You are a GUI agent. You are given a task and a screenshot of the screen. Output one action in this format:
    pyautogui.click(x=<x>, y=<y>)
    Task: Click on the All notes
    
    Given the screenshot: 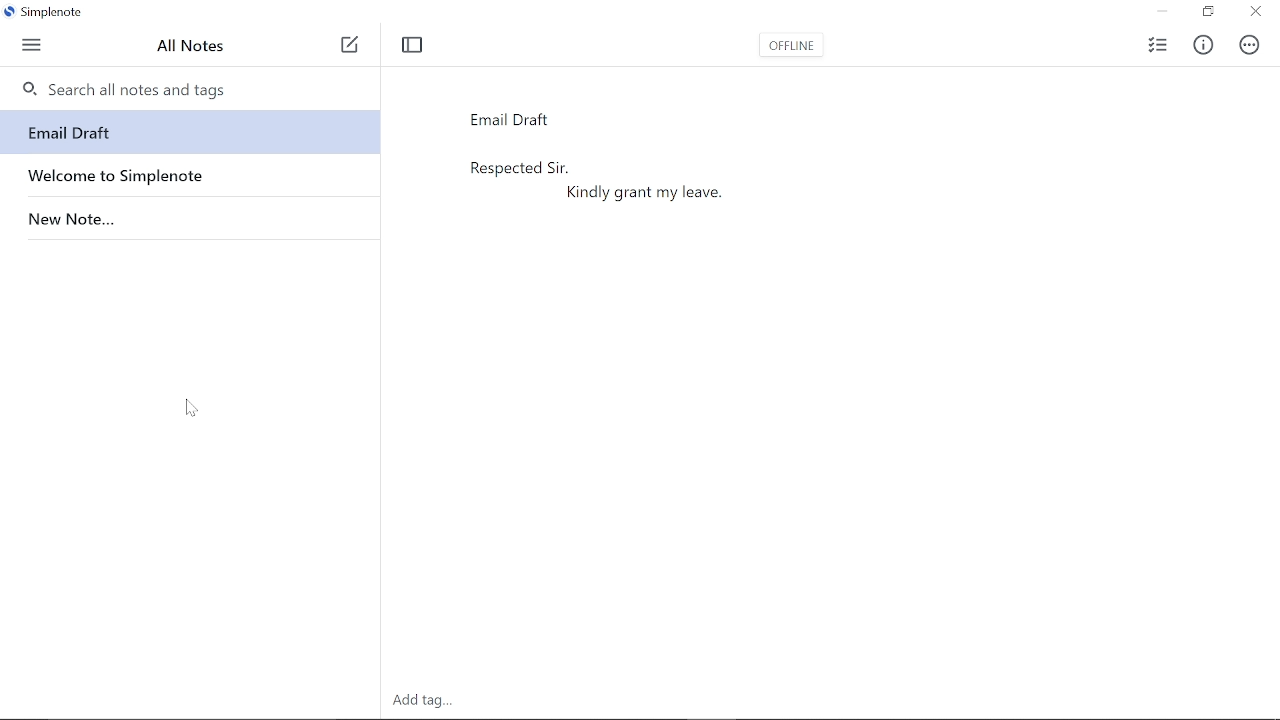 What is the action you would take?
    pyautogui.click(x=197, y=46)
    